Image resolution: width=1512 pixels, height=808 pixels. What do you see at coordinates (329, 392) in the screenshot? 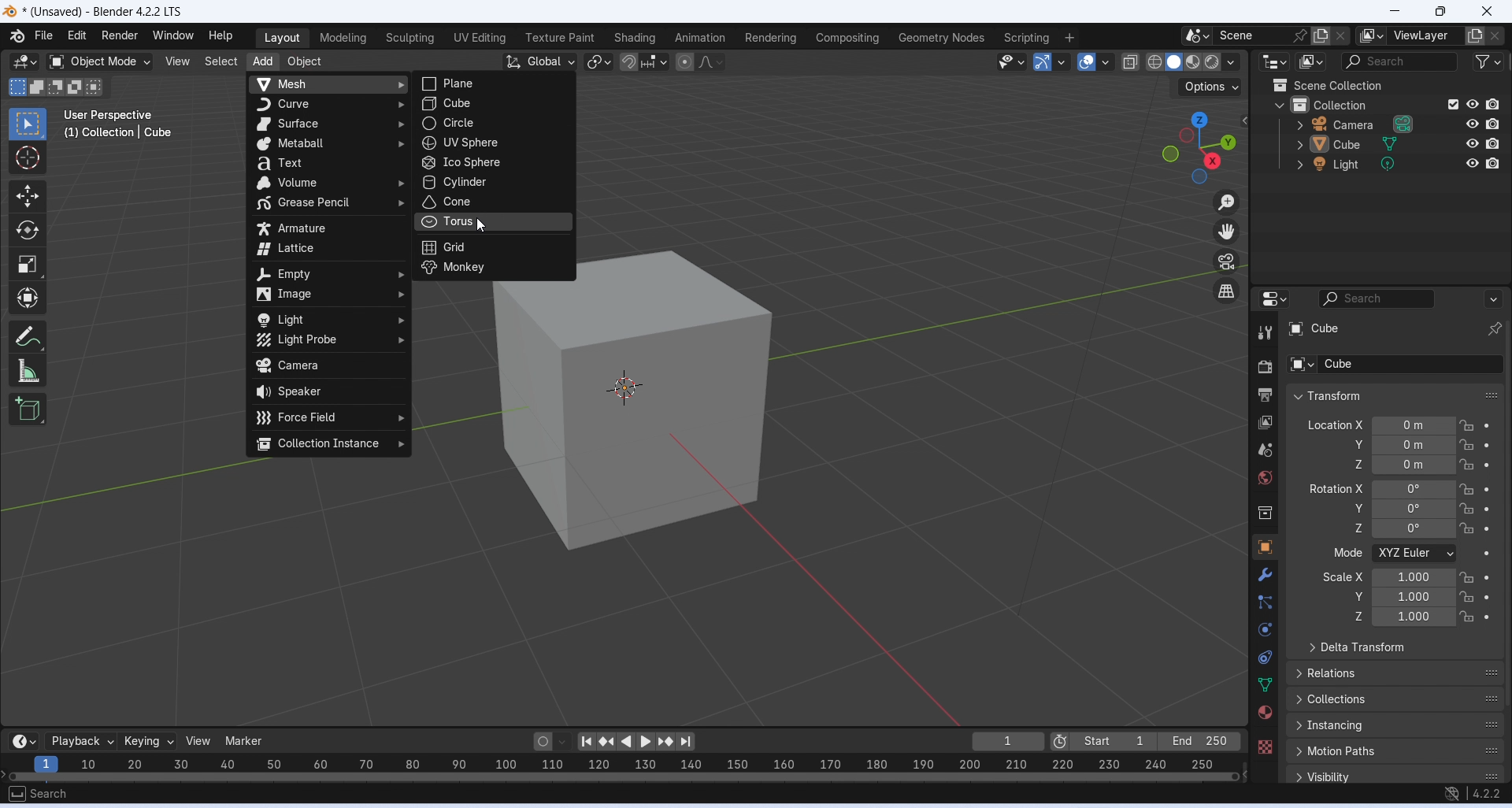
I see `speaker` at bounding box center [329, 392].